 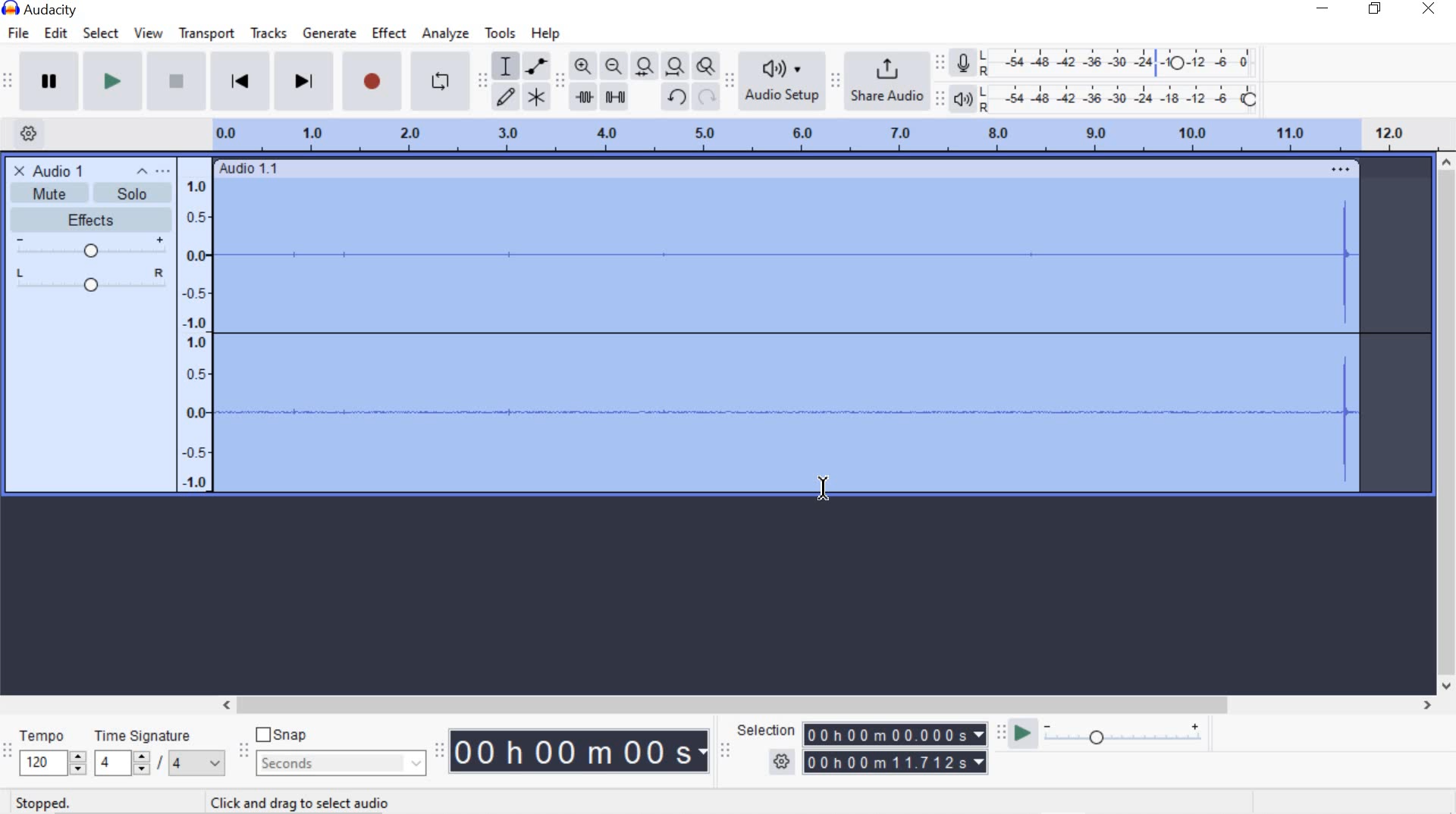 What do you see at coordinates (370, 85) in the screenshot?
I see `Record` at bounding box center [370, 85].